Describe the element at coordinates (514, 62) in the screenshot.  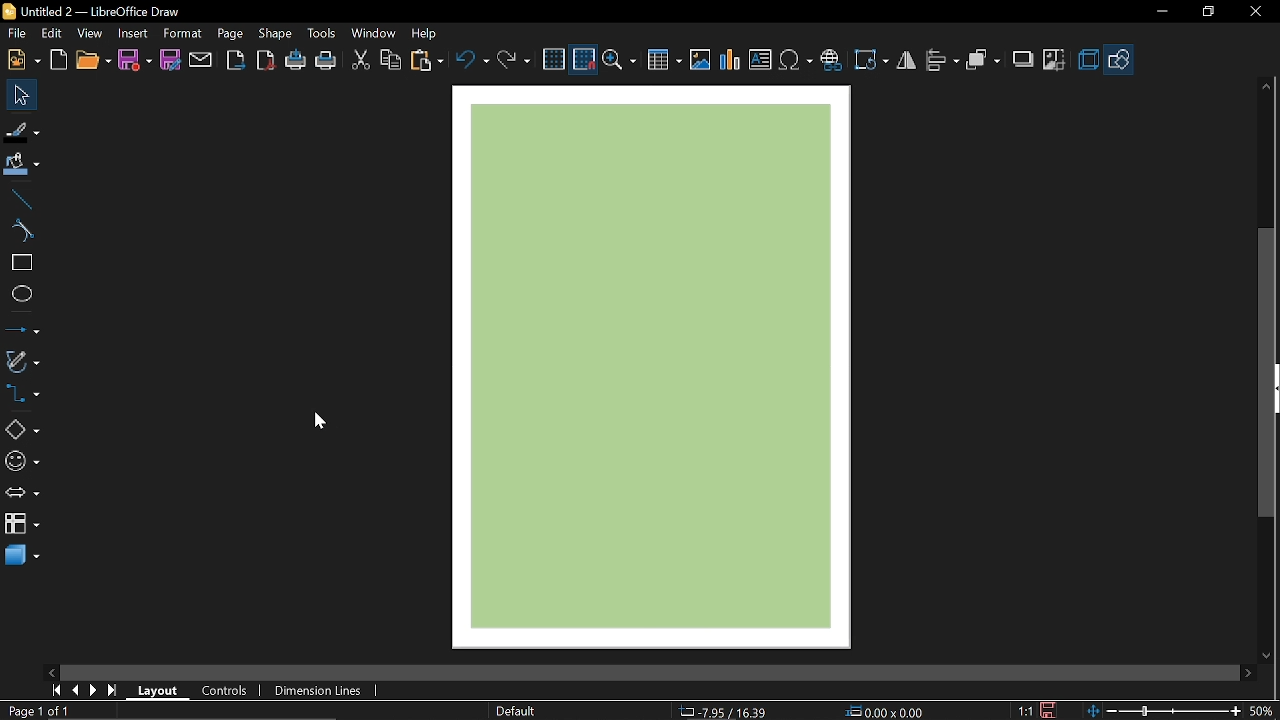
I see `Redo` at that location.